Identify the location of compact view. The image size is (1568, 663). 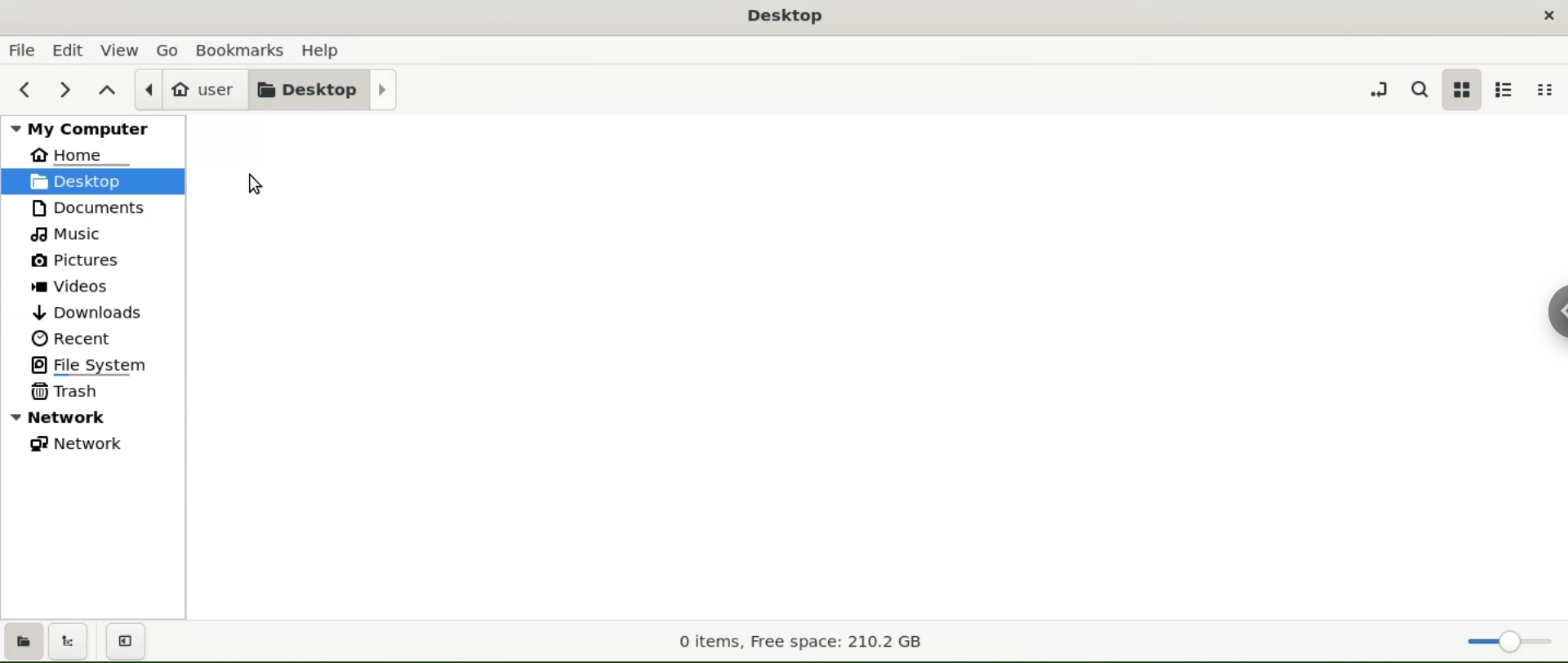
(1545, 91).